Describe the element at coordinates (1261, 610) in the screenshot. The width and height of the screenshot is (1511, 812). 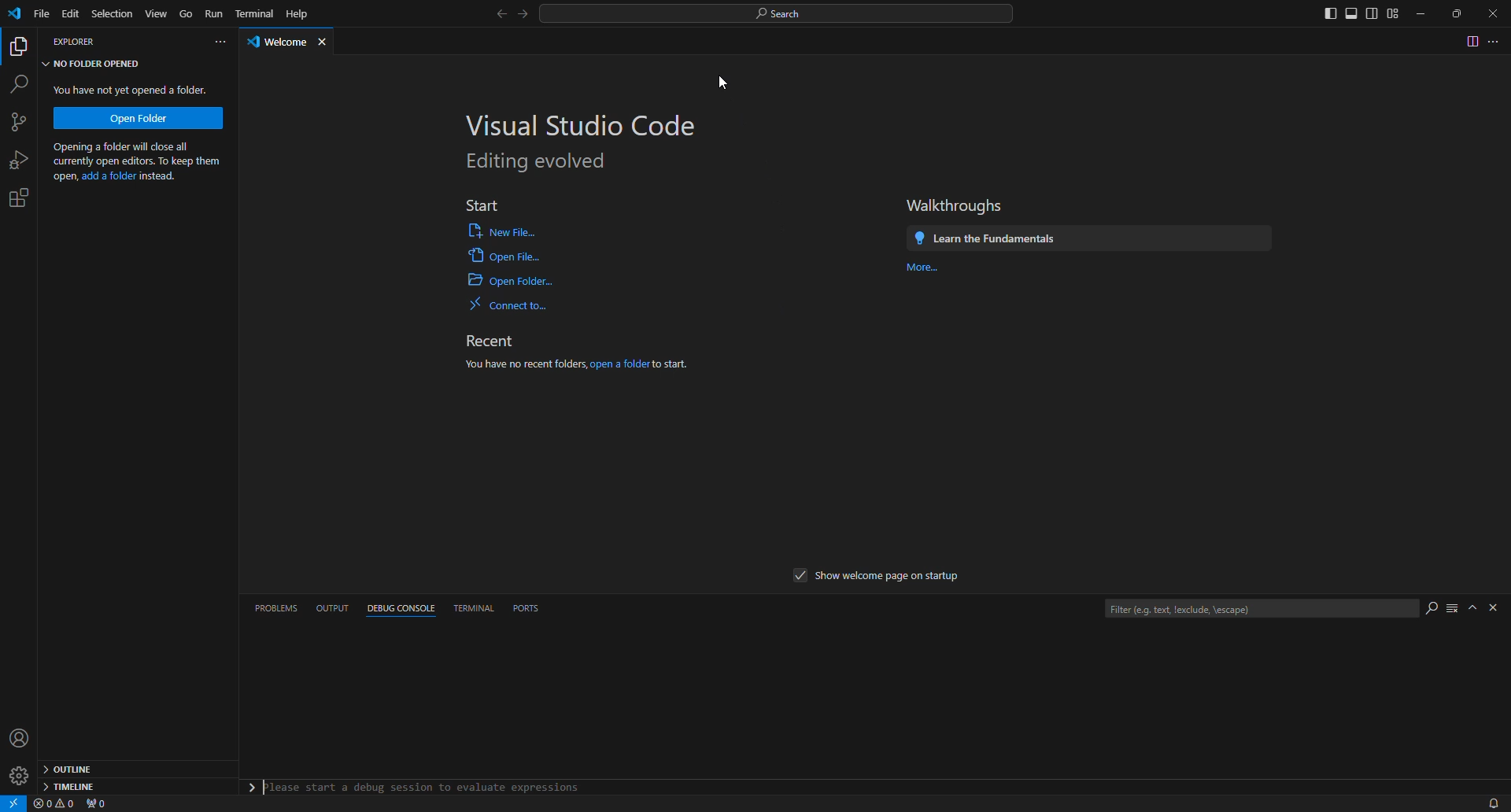
I see `Filter (e.g. text, !exclude, /escape)` at that location.